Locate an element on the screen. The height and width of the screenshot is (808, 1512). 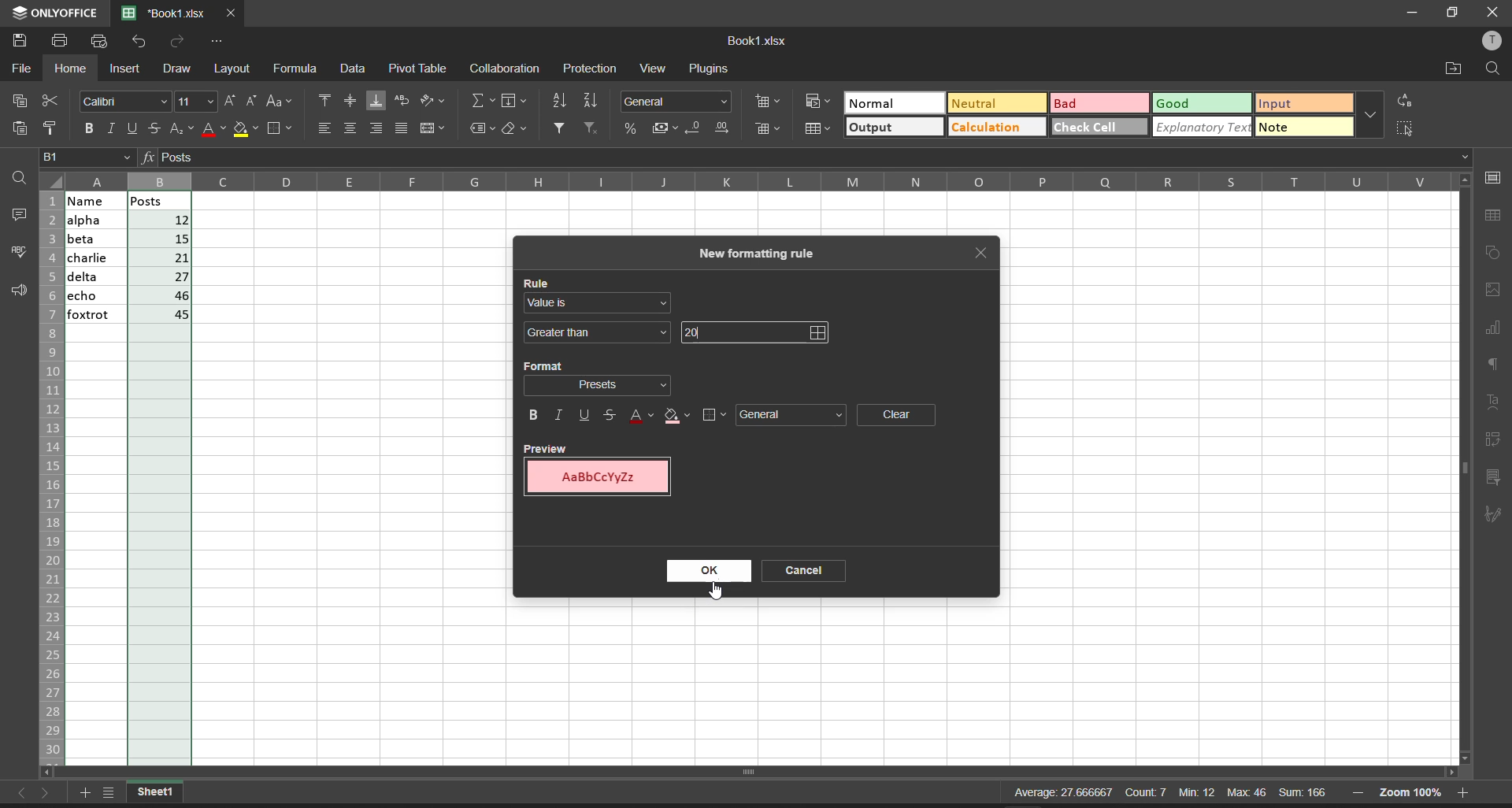
fill color is located at coordinates (246, 131).